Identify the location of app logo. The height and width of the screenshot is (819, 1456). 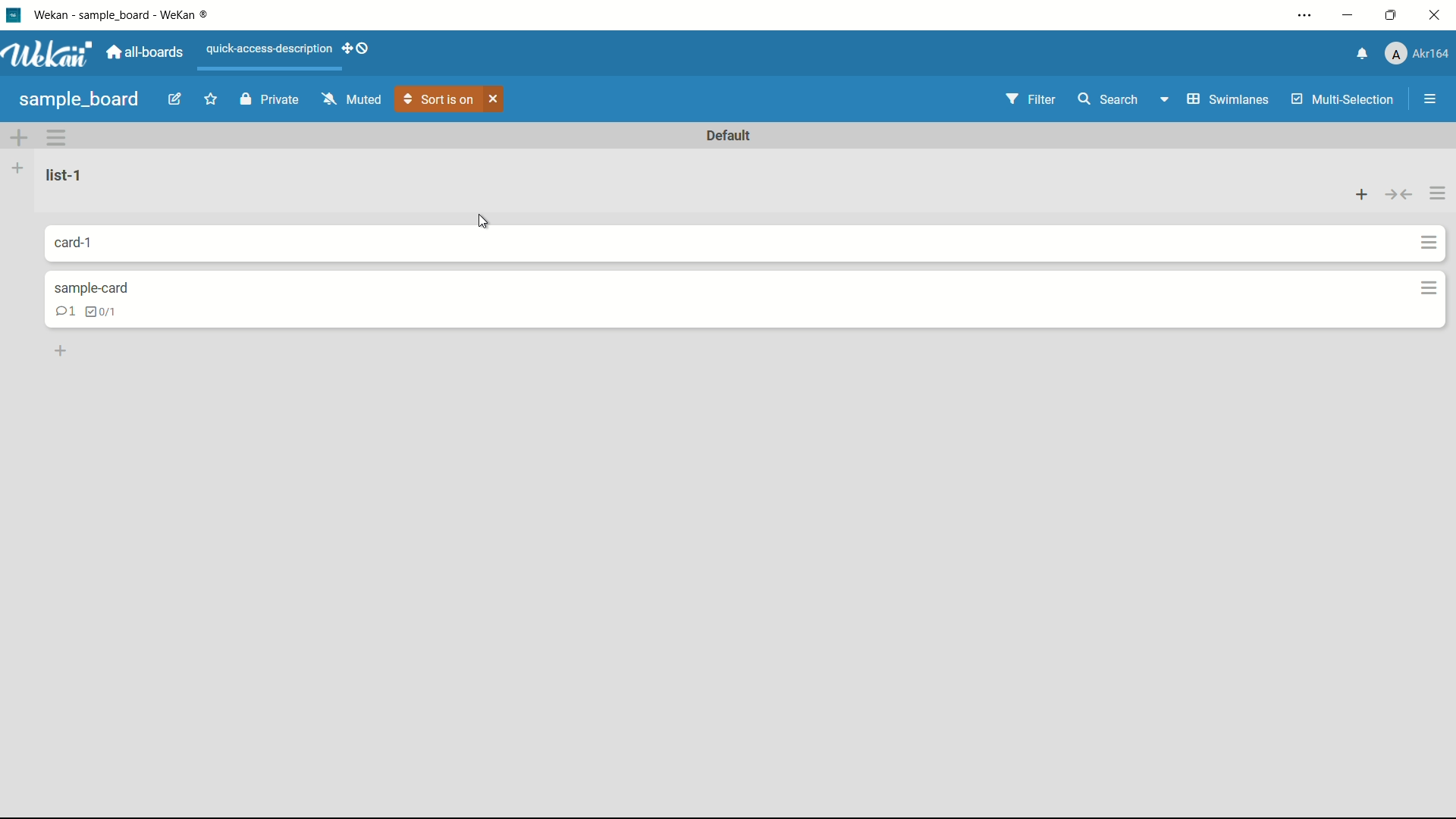
(47, 54).